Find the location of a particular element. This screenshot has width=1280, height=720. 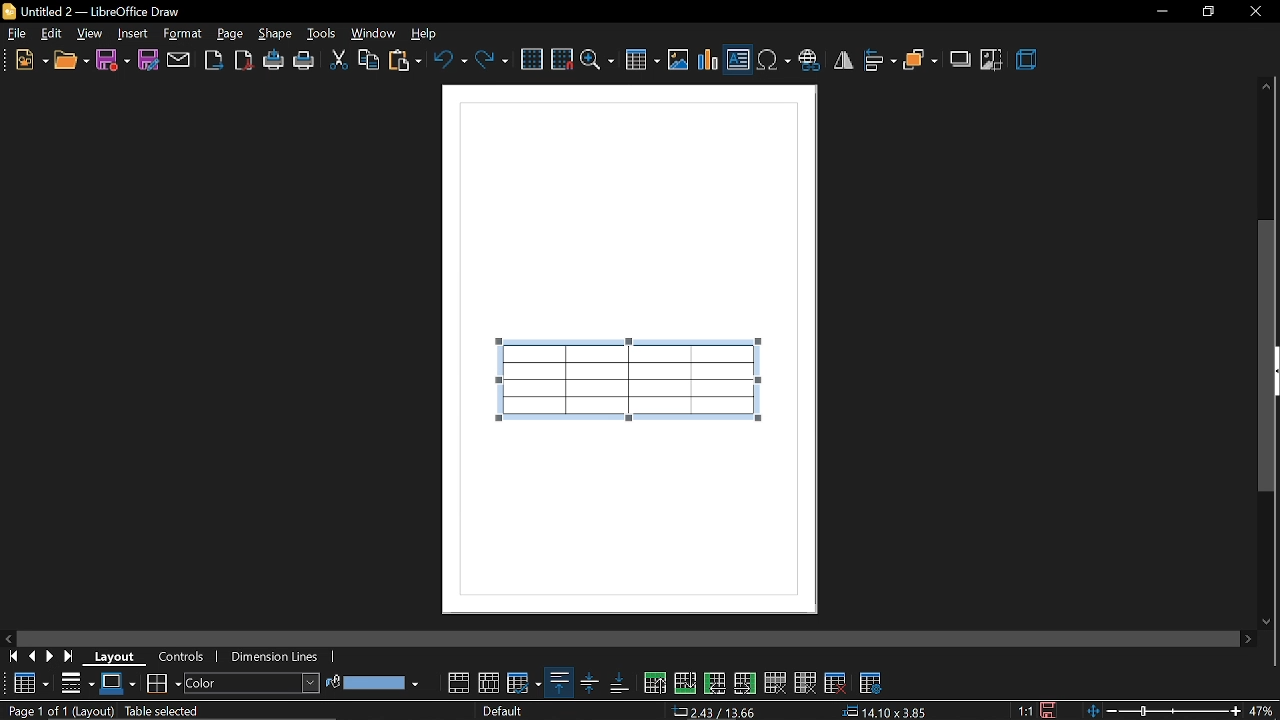

paste is located at coordinates (406, 60).